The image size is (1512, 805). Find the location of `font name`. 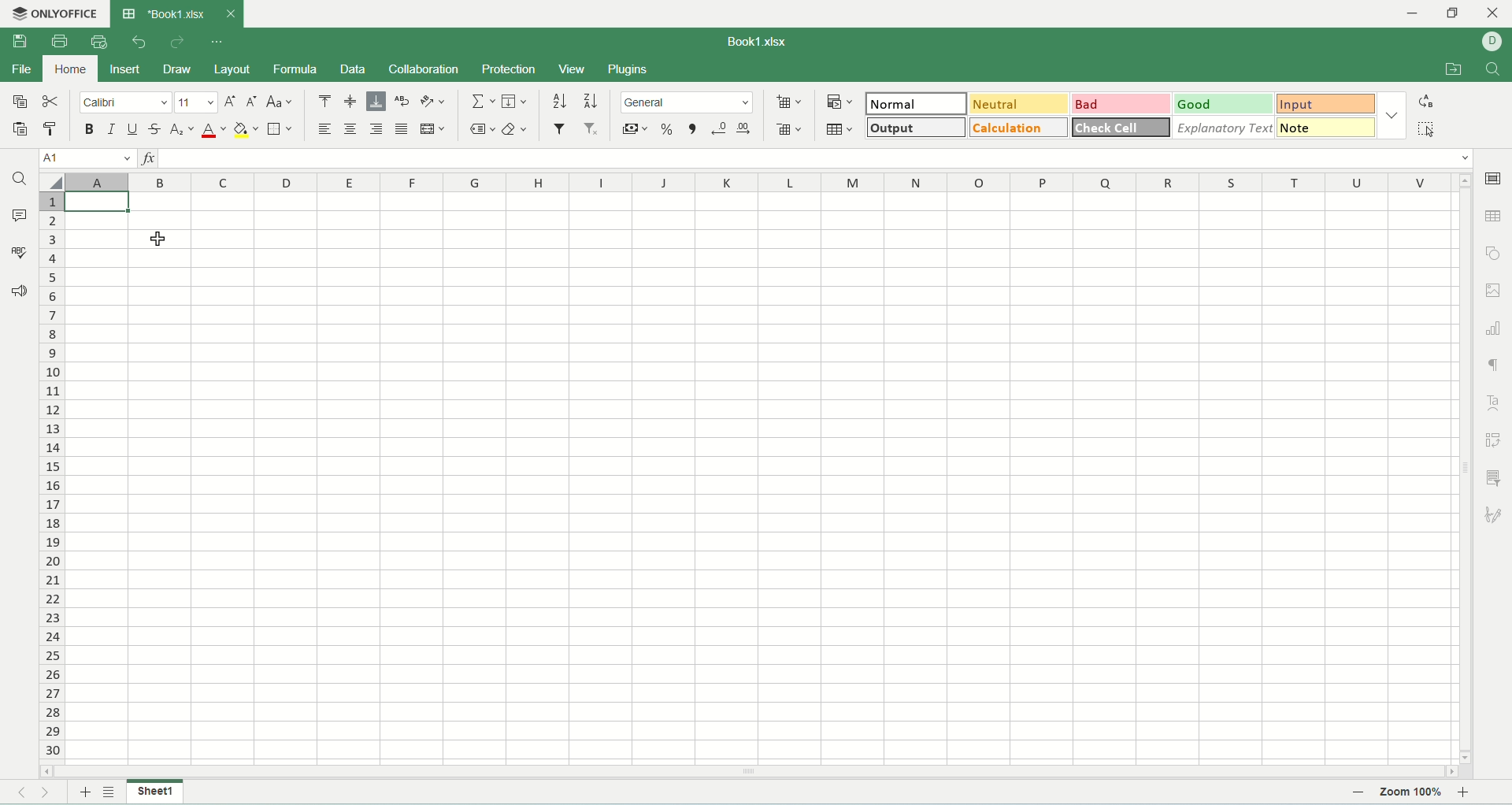

font name is located at coordinates (128, 103).